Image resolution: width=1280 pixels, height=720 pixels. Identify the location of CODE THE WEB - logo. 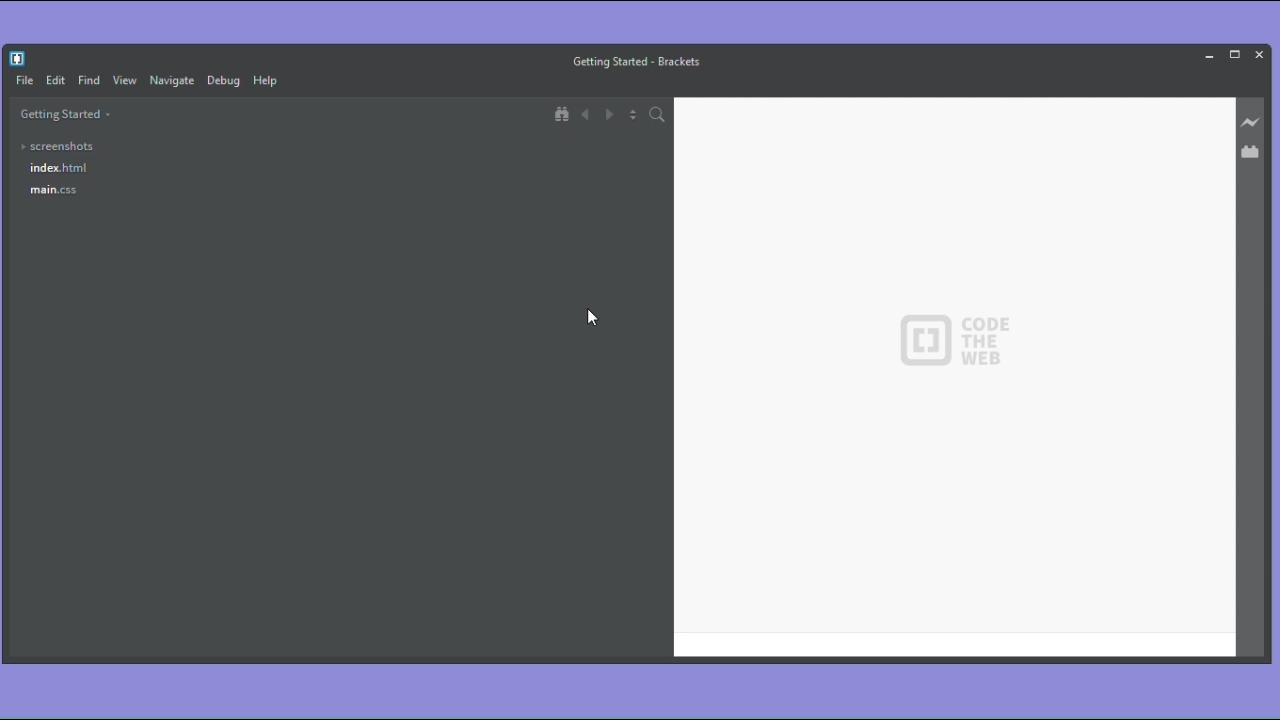
(953, 341).